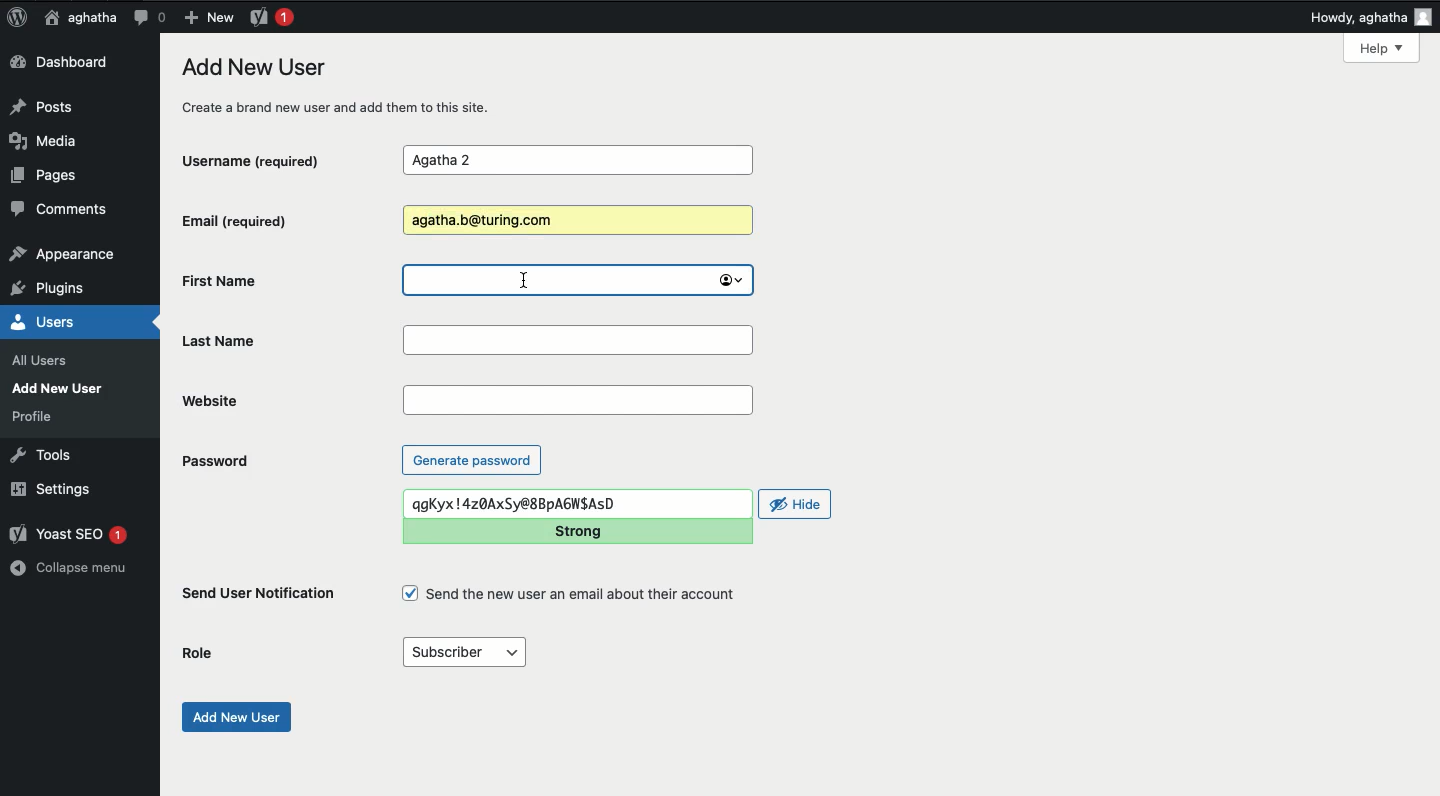 This screenshot has height=796, width=1440. What do you see at coordinates (270, 16) in the screenshot?
I see `Yoast` at bounding box center [270, 16].